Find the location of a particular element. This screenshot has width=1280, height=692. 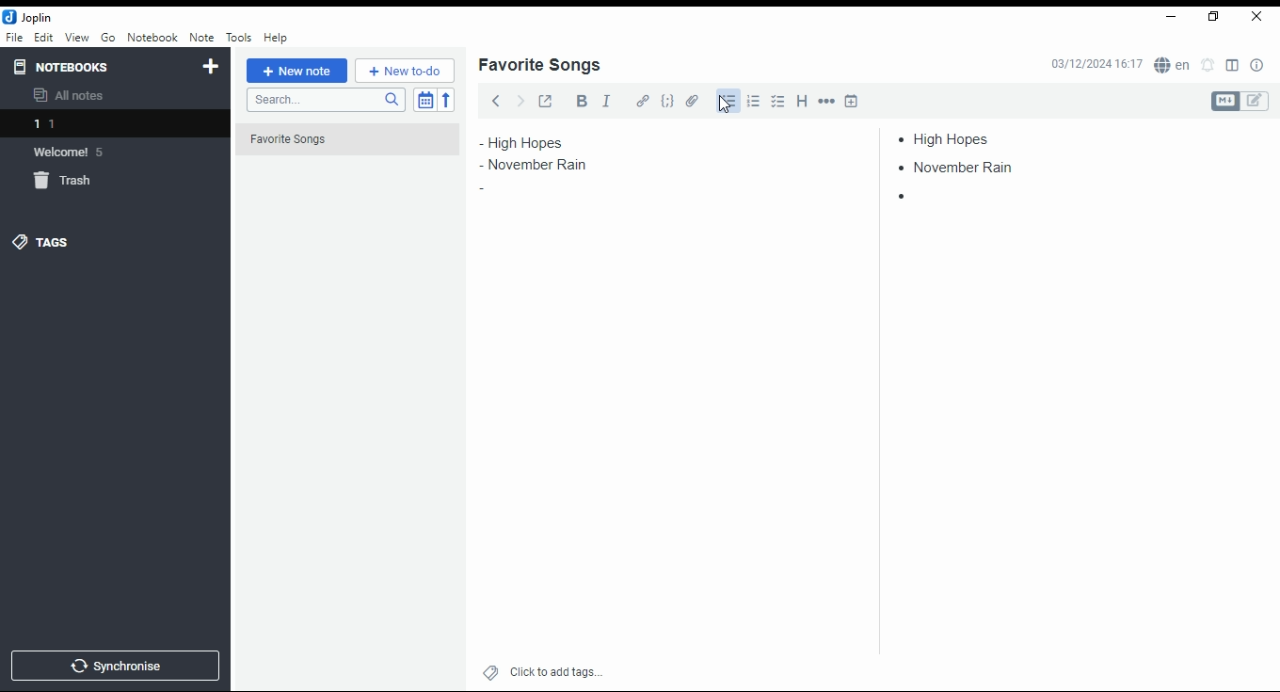

search is located at coordinates (325, 100).